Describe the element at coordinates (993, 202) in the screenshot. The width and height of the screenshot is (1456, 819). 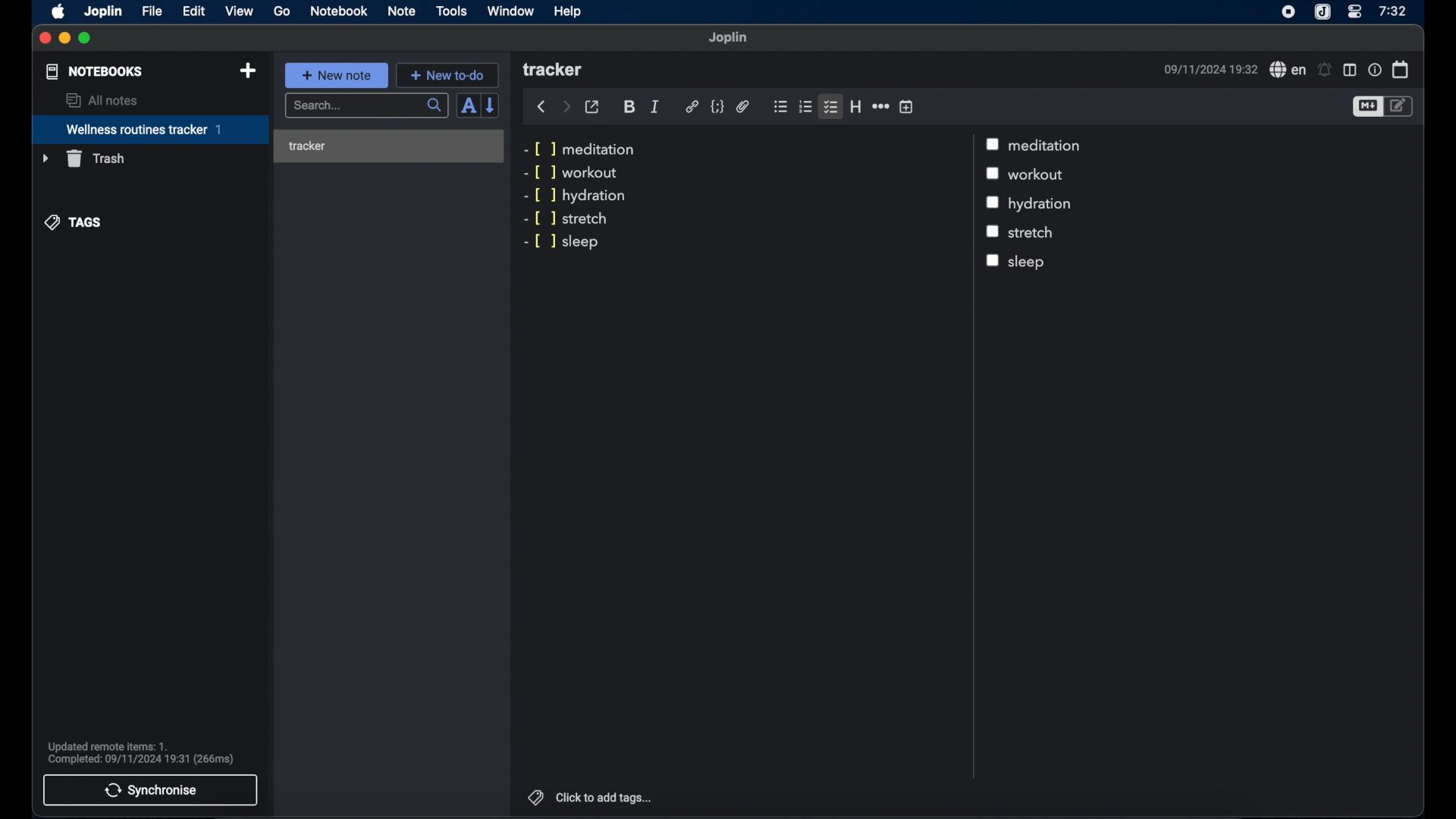
I see `Checkbox` at that location.